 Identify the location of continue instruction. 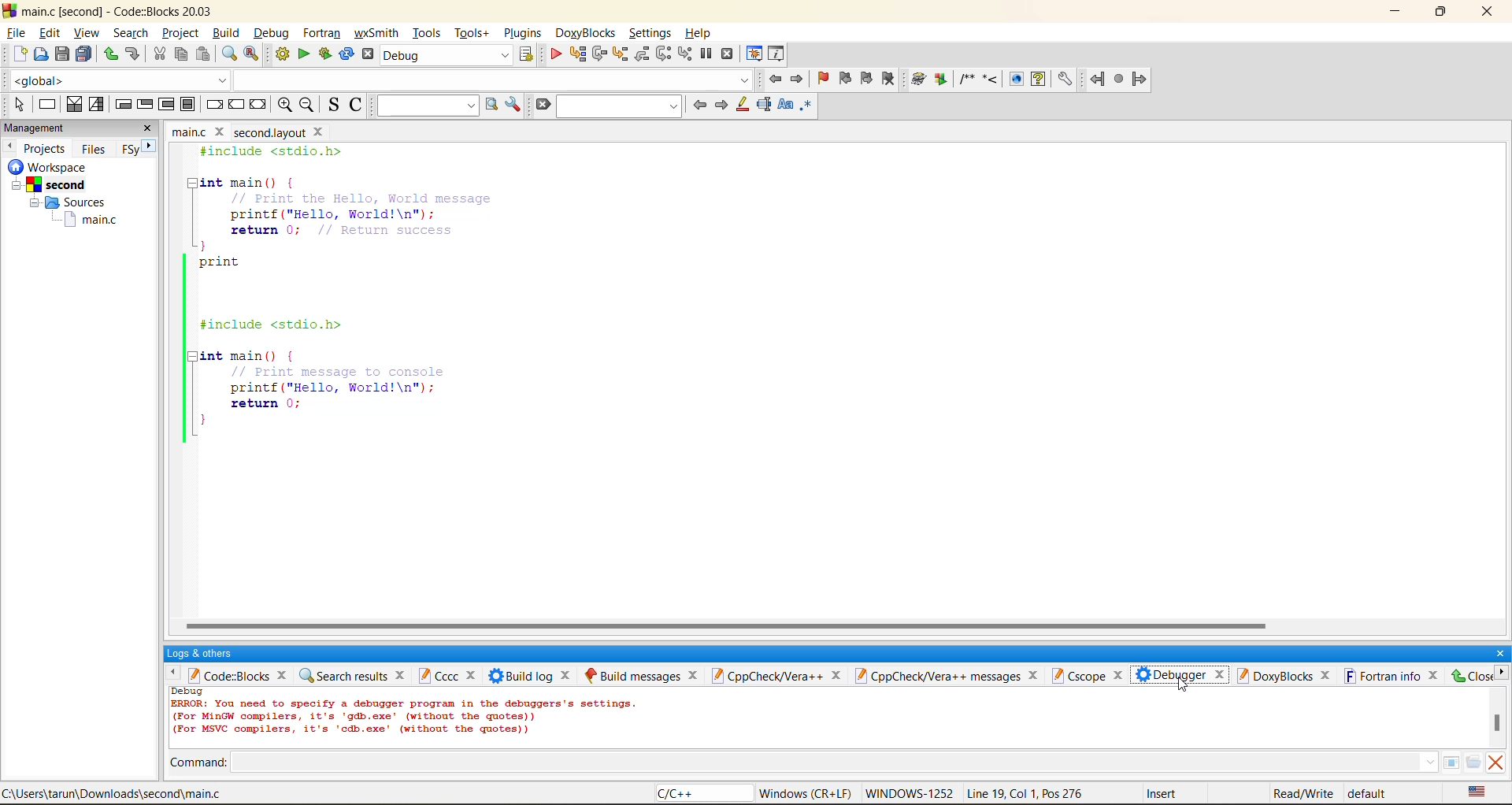
(236, 103).